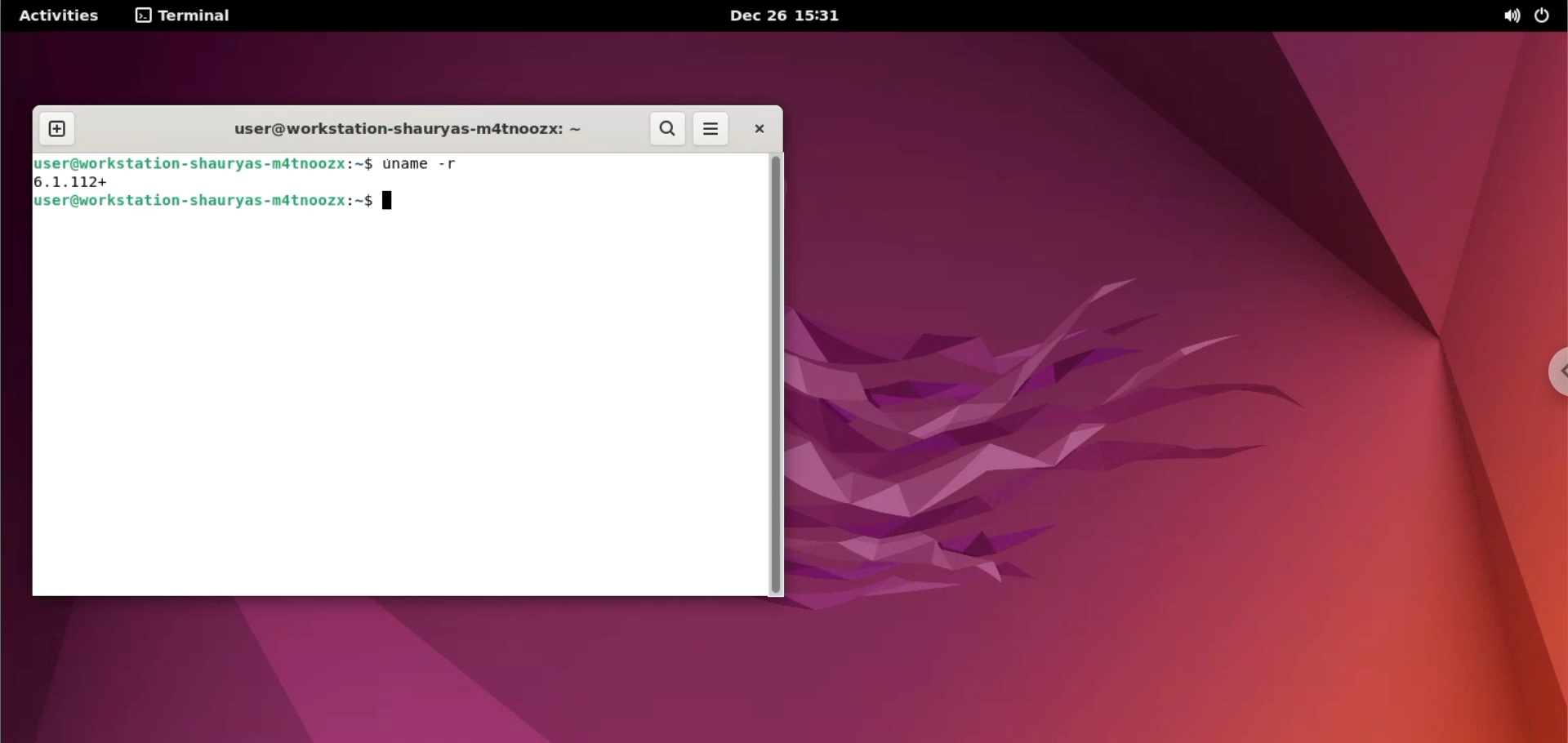 Image resolution: width=1568 pixels, height=743 pixels. What do you see at coordinates (755, 130) in the screenshot?
I see `close` at bounding box center [755, 130].